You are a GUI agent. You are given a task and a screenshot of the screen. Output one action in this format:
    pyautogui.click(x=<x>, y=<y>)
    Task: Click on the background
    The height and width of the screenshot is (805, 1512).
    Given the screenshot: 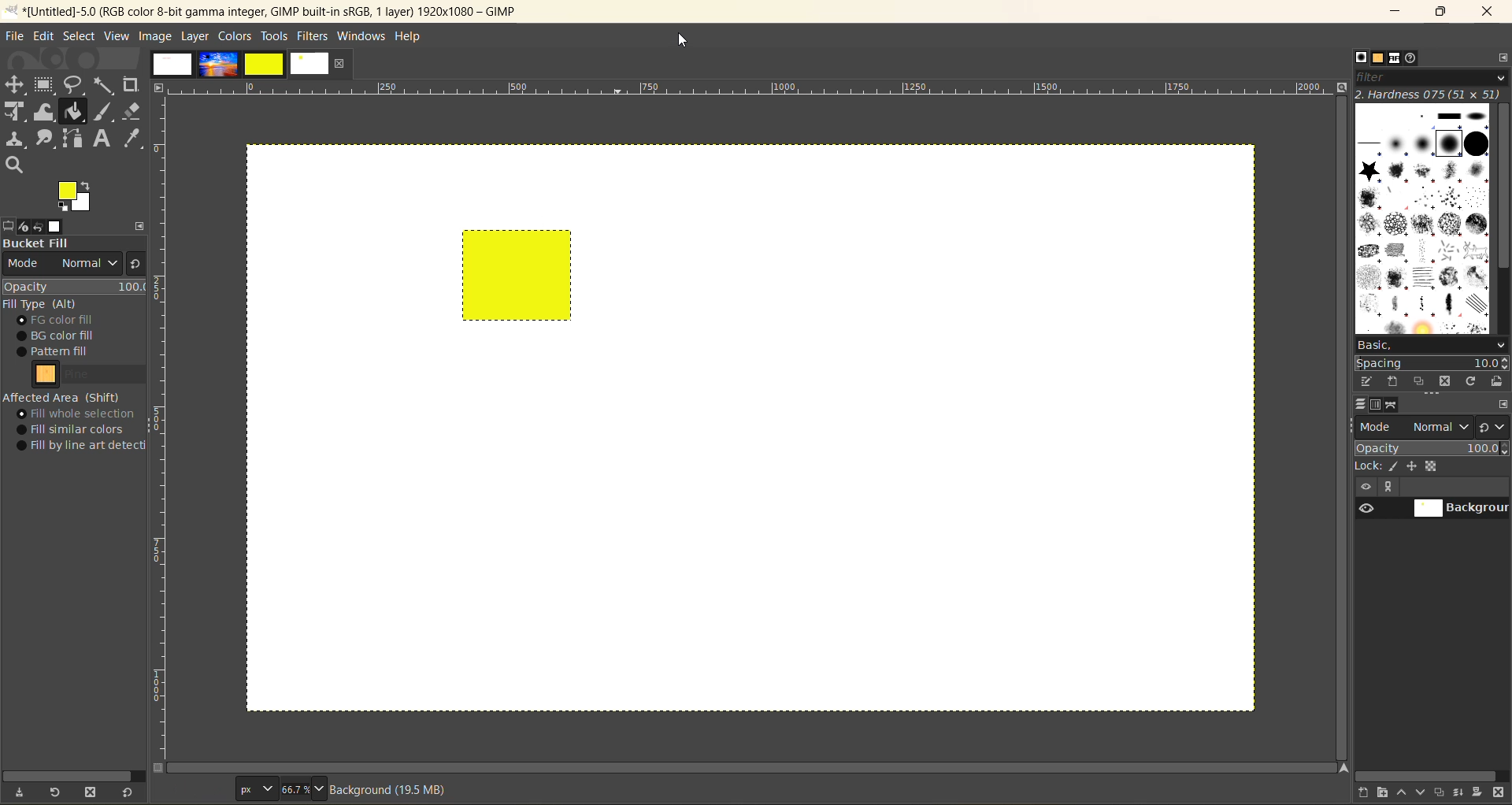 What is the action you would take?
    pyautogui.click(x=1461, y=509)
    